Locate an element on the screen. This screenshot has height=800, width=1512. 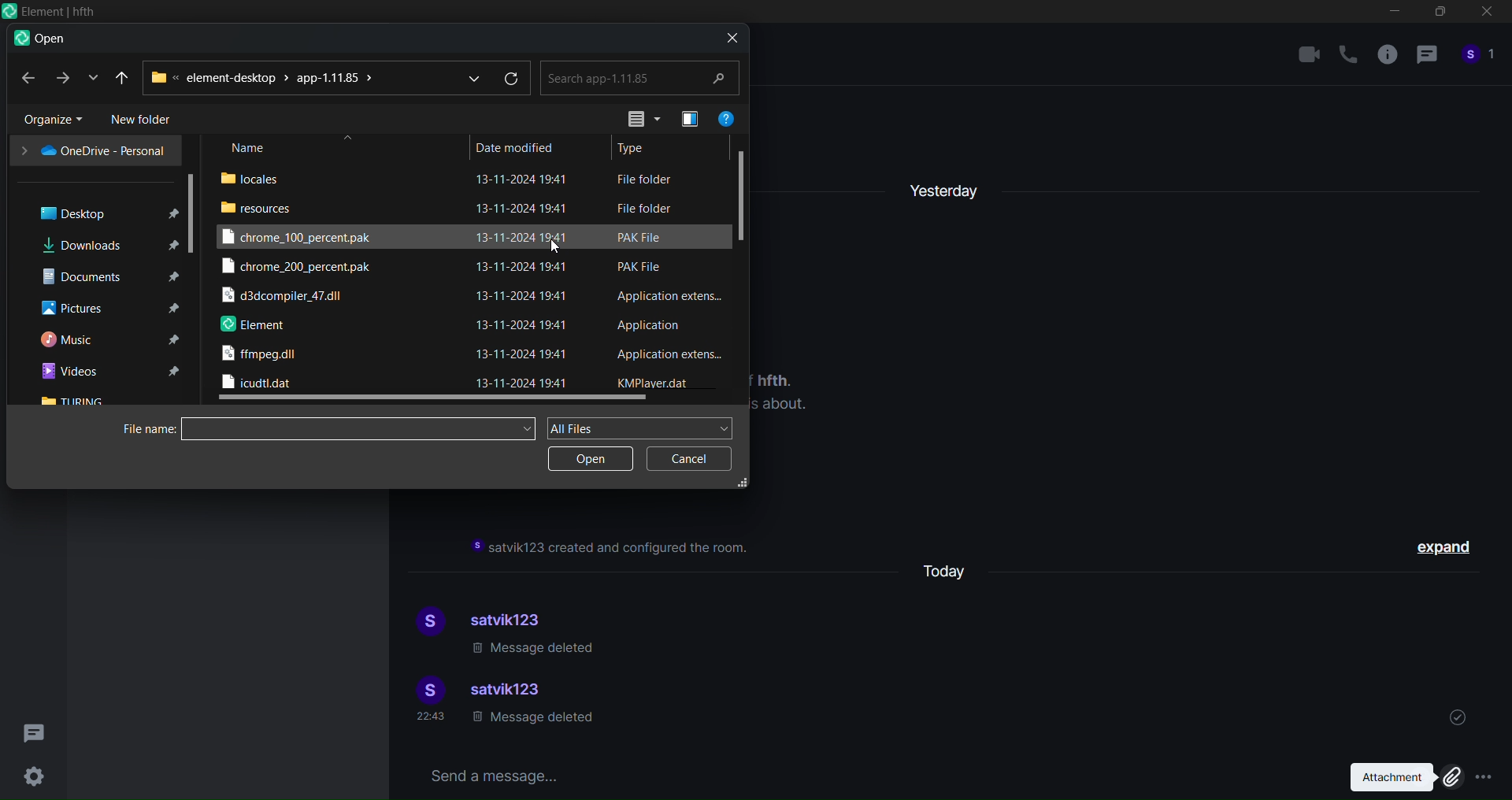
videos is located at coordinates (109, 372).